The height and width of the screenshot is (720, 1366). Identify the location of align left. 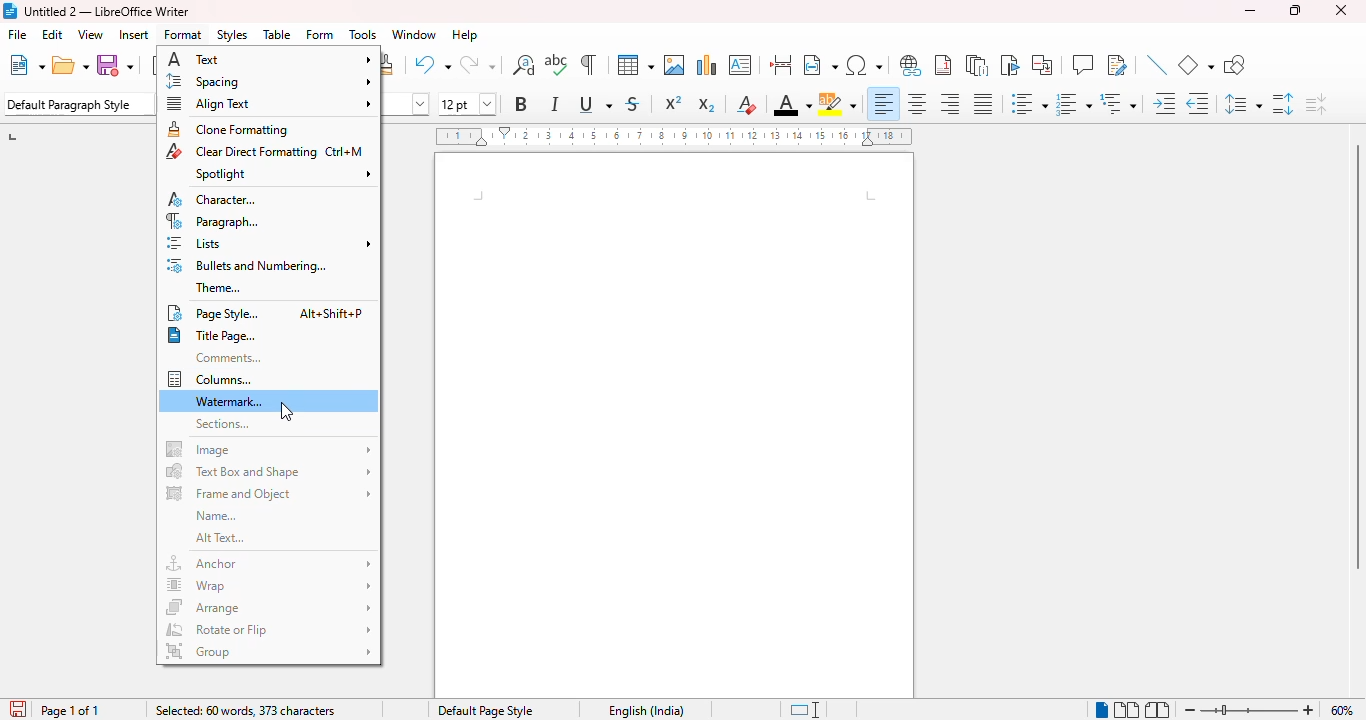
(884, 103).